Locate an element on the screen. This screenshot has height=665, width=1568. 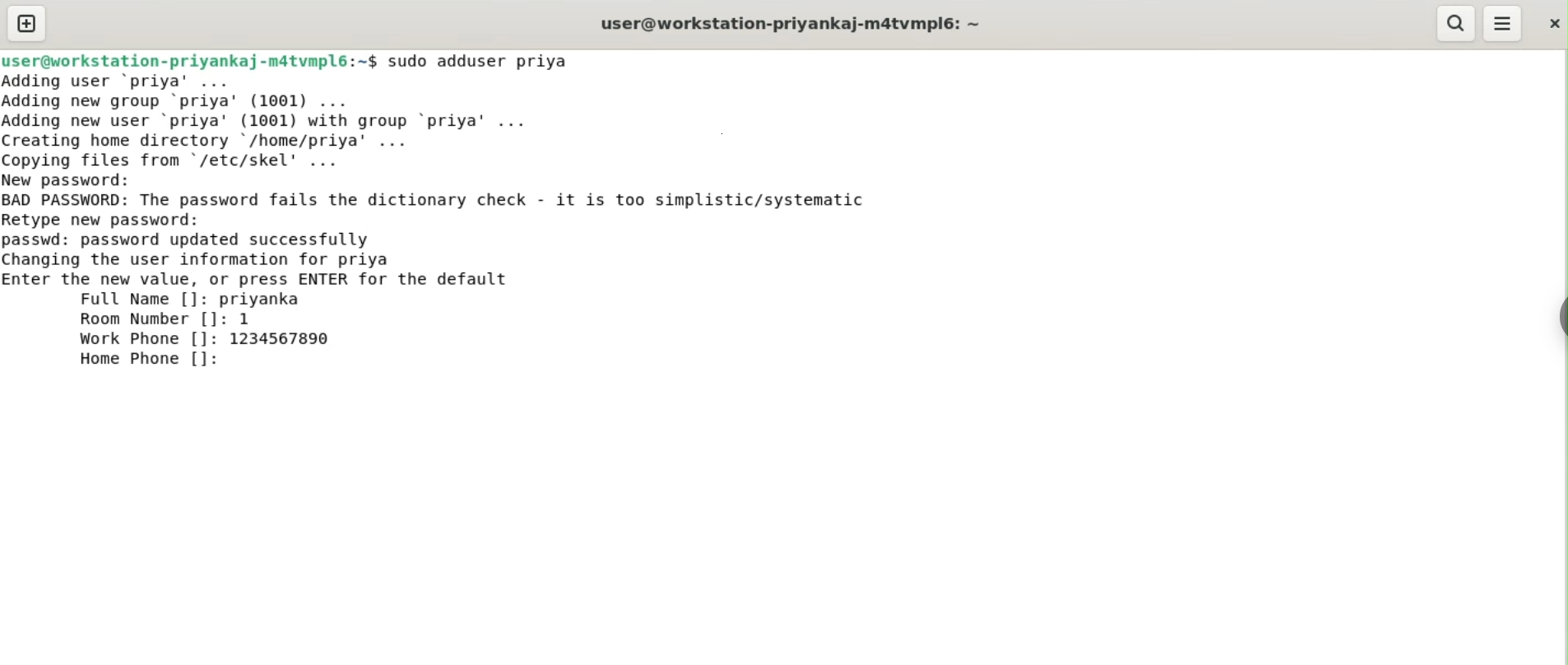
close is located at coordinates (1552, 23).